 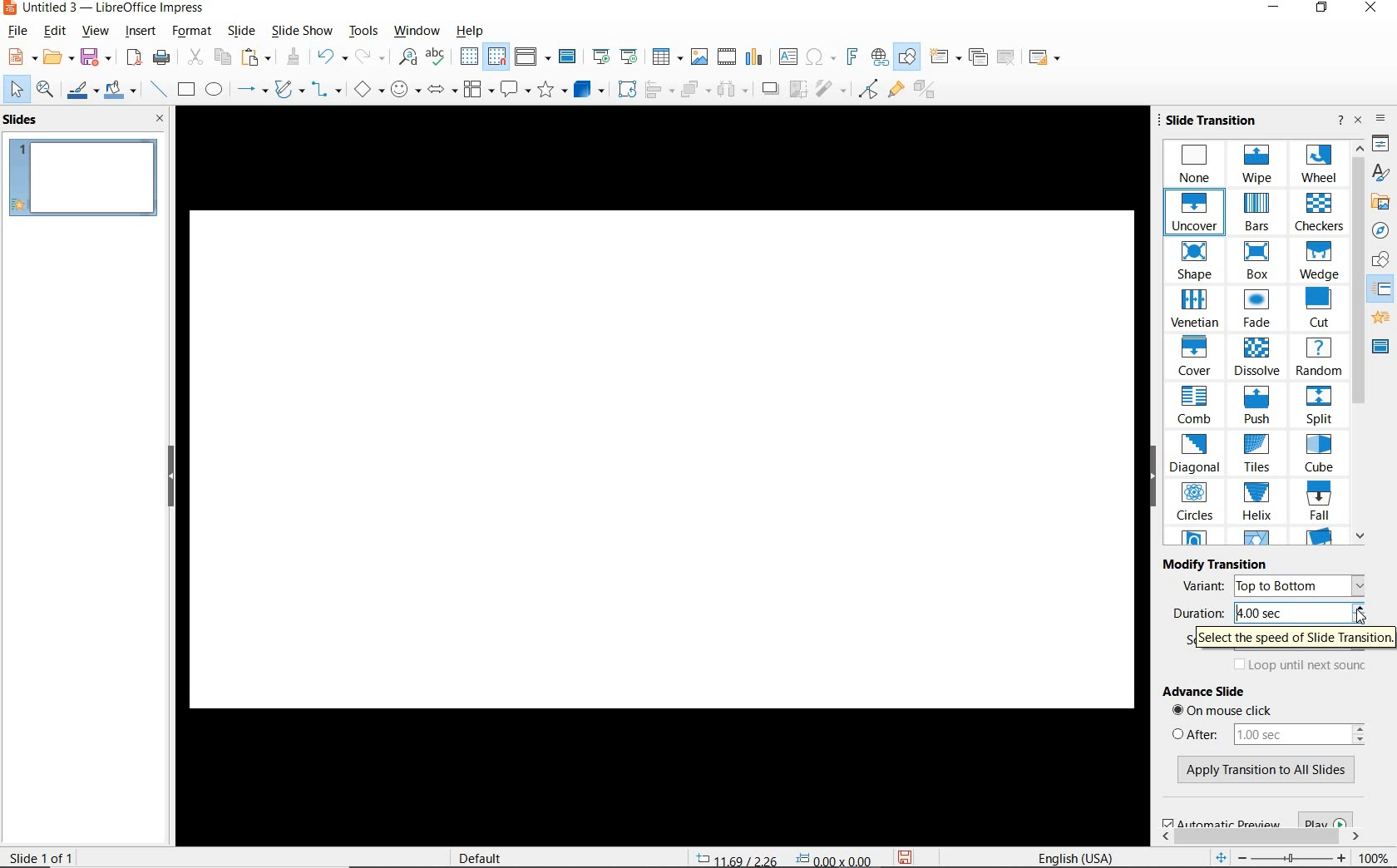 What do you see at coordinates (1042, 57) in the screenshot?
I see `SLIDE LAYOUT` at bounding box center [1042, 57].